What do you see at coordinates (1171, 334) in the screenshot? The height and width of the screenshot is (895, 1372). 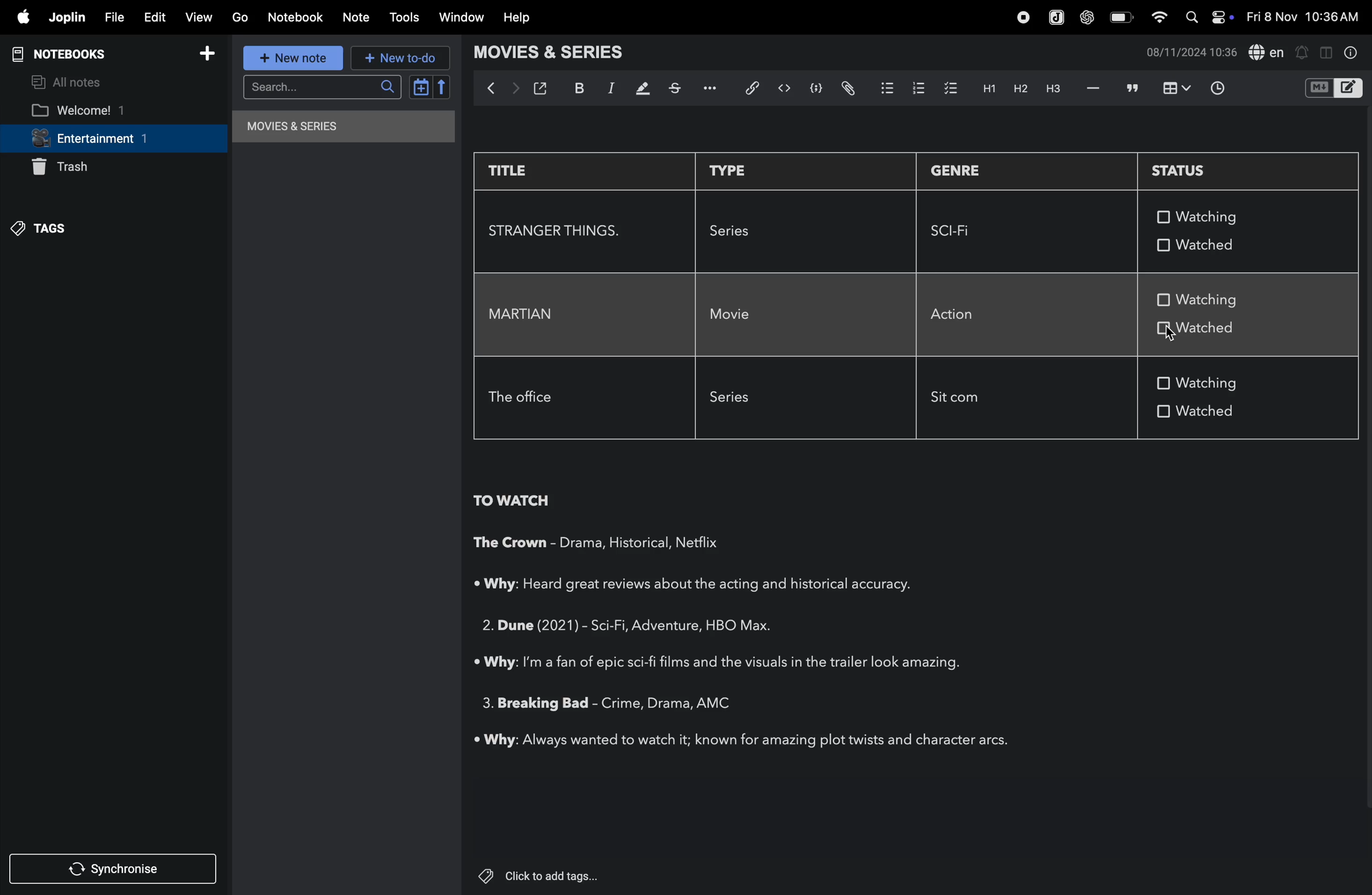 I see `Cursor` at bounding box center [1171, 334].